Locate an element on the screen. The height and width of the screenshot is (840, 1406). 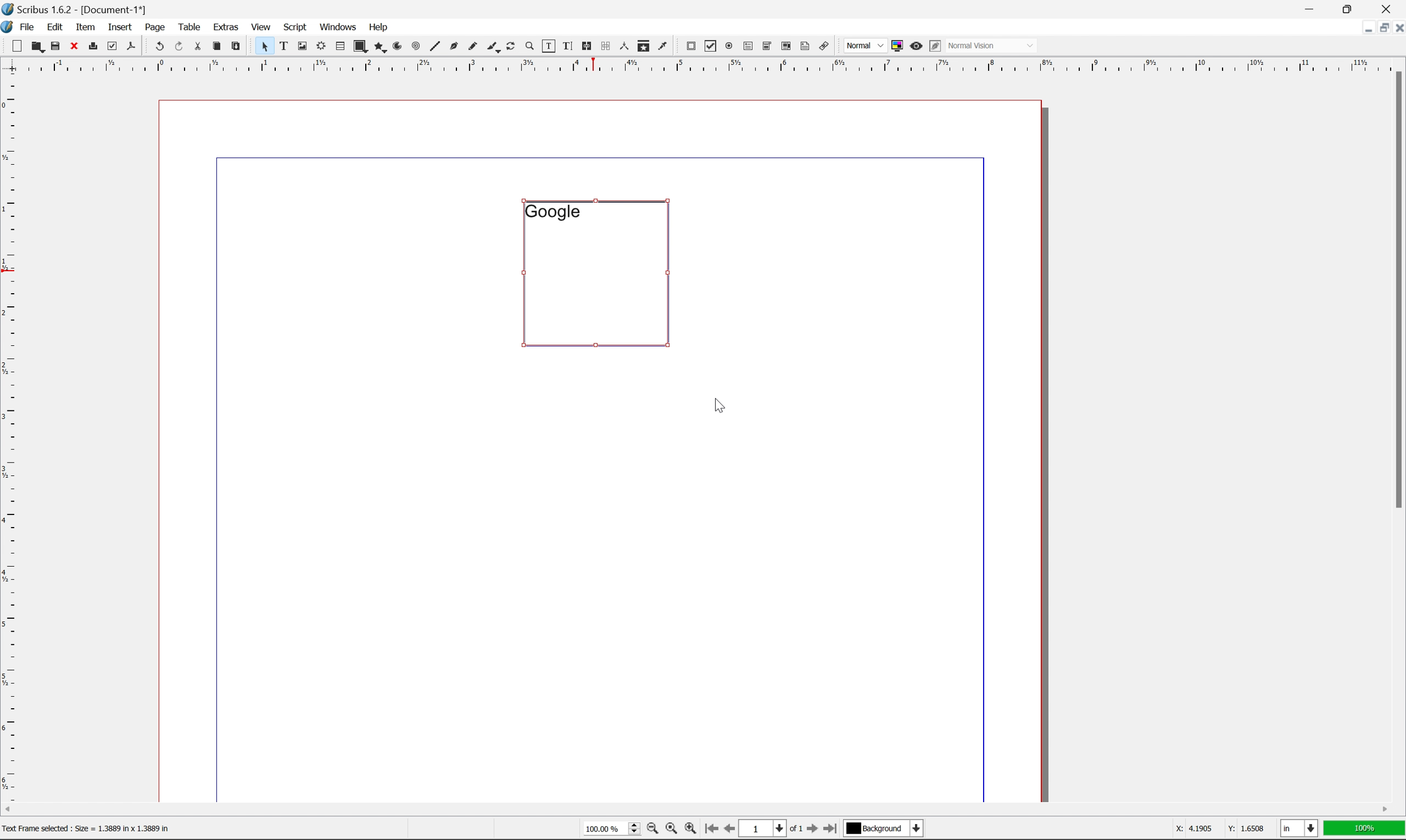
paste is located at coordinates (237, 46).